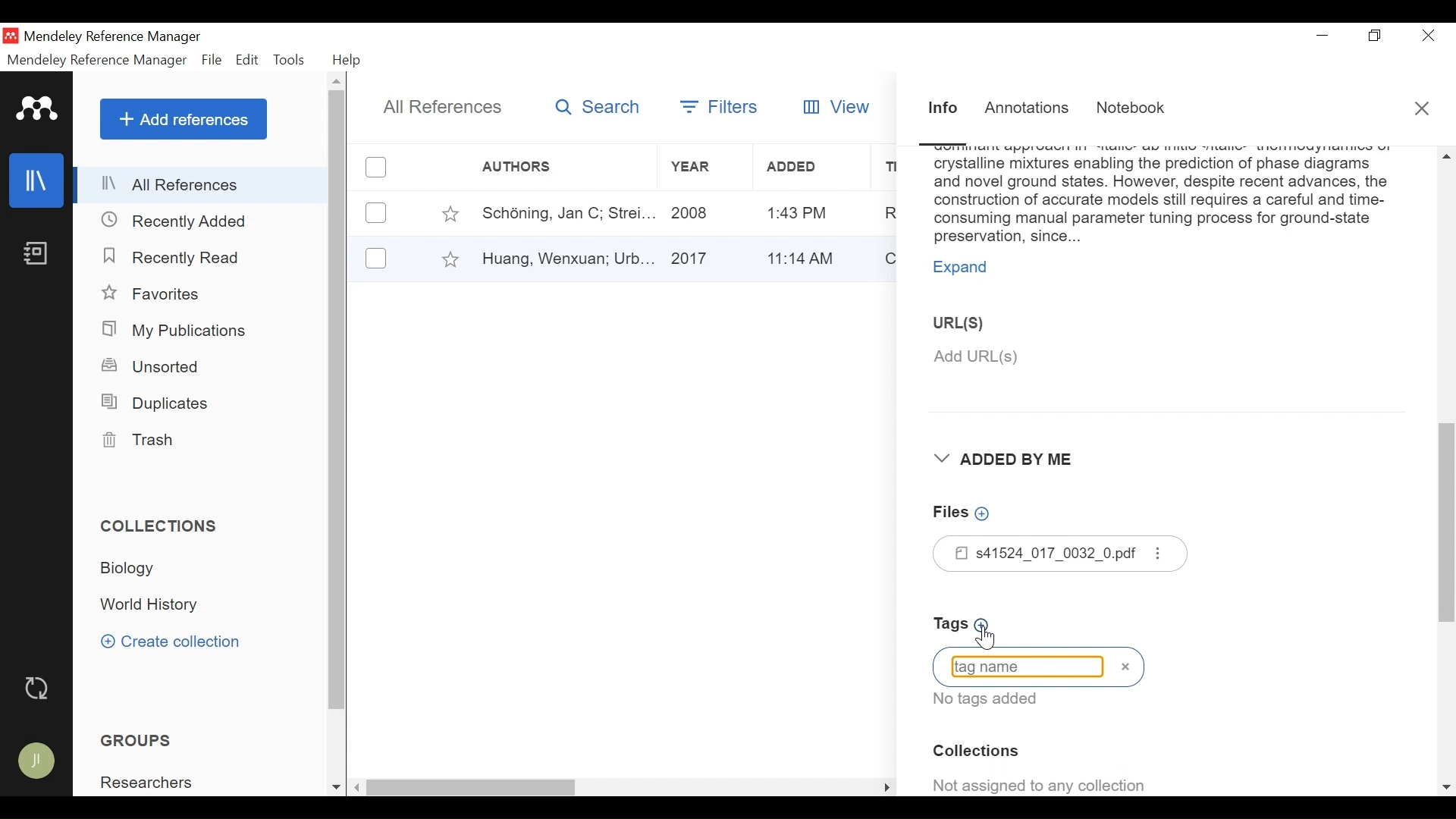  What do you see at coordinates (450, 213) in the screenshot?
I see `Toggle Favorite` at bounding box center [450, 213].